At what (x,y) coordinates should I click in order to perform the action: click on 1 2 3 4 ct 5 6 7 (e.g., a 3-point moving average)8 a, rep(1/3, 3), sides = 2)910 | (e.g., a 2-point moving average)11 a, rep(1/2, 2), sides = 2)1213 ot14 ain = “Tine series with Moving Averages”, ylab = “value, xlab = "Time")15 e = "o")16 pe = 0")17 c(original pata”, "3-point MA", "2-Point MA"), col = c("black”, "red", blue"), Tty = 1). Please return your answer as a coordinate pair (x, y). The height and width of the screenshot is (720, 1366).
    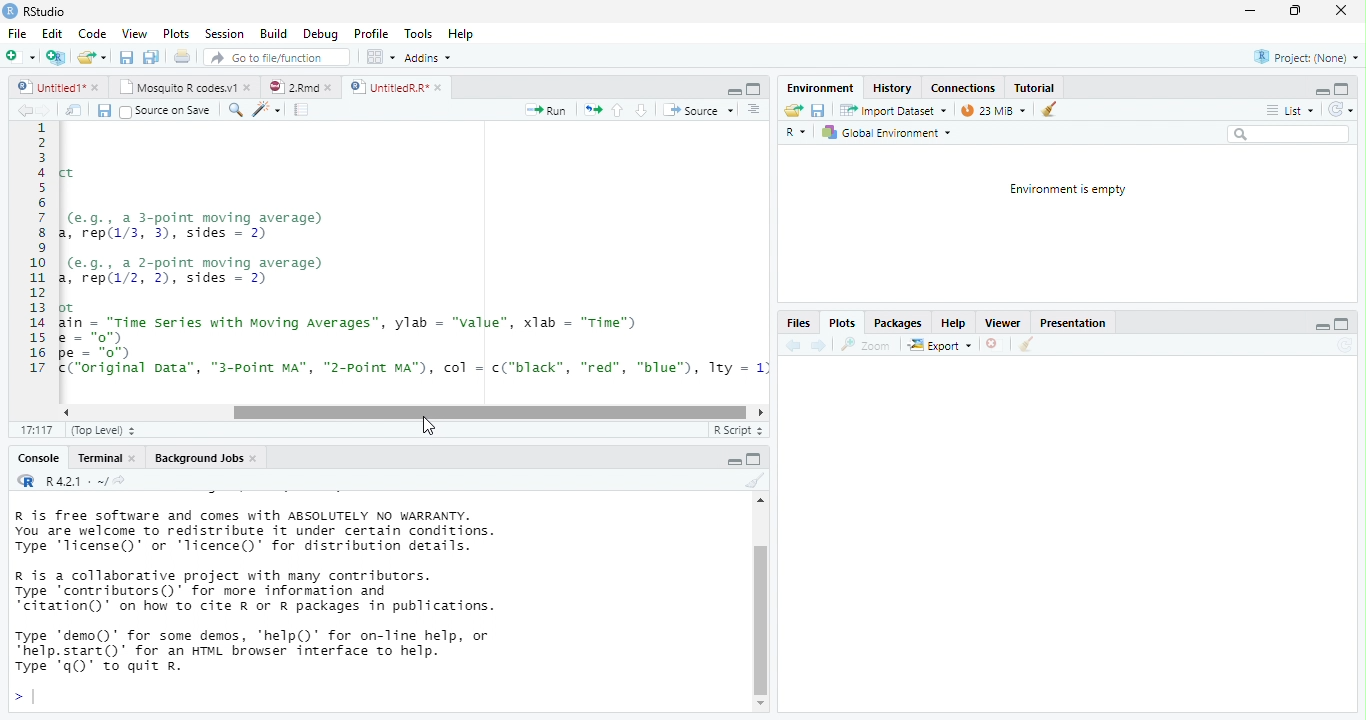
    Looking at the image, I should click on (398, 258).